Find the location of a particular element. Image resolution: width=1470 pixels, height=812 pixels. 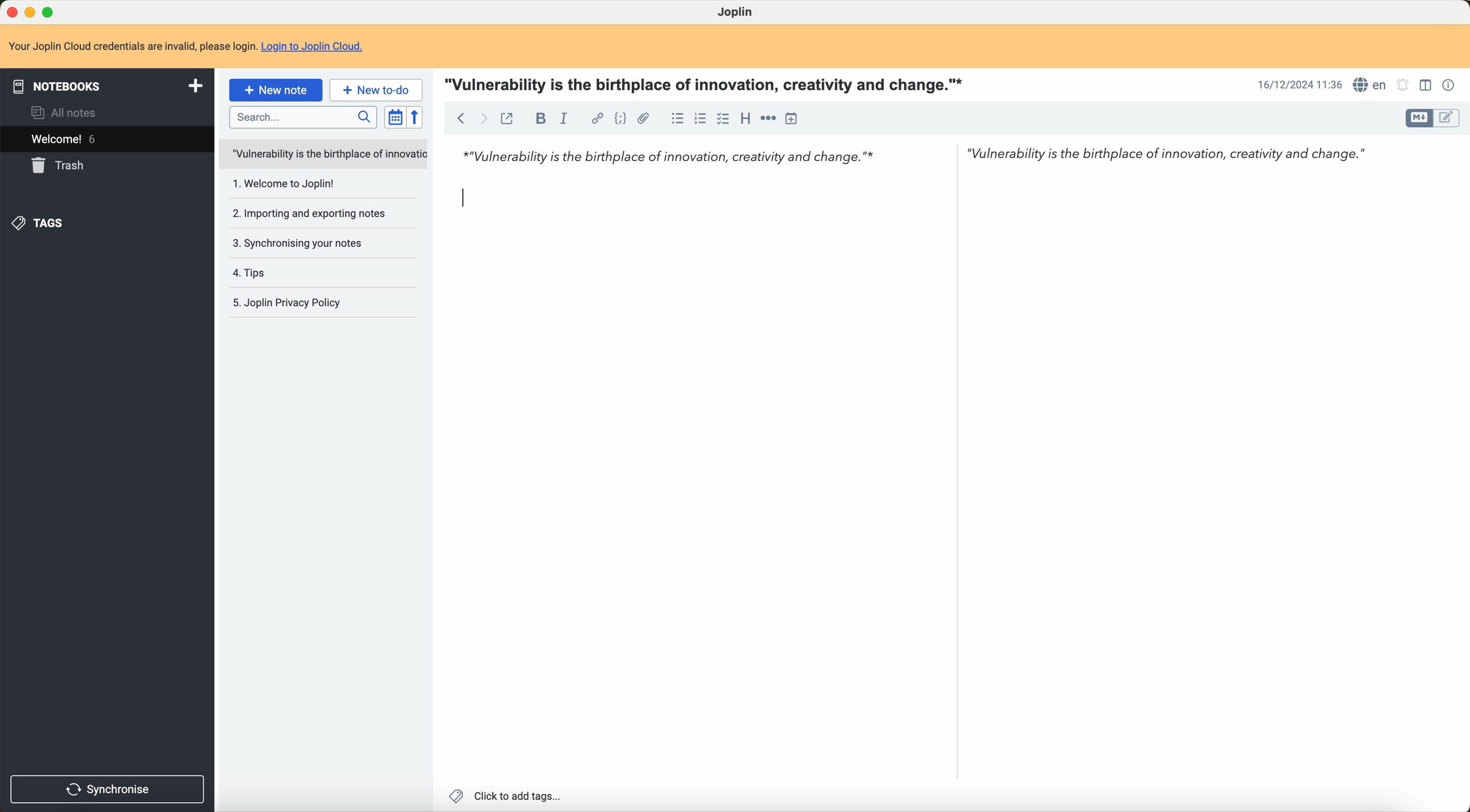

toggle editor is located at coordinates (1447, 120).